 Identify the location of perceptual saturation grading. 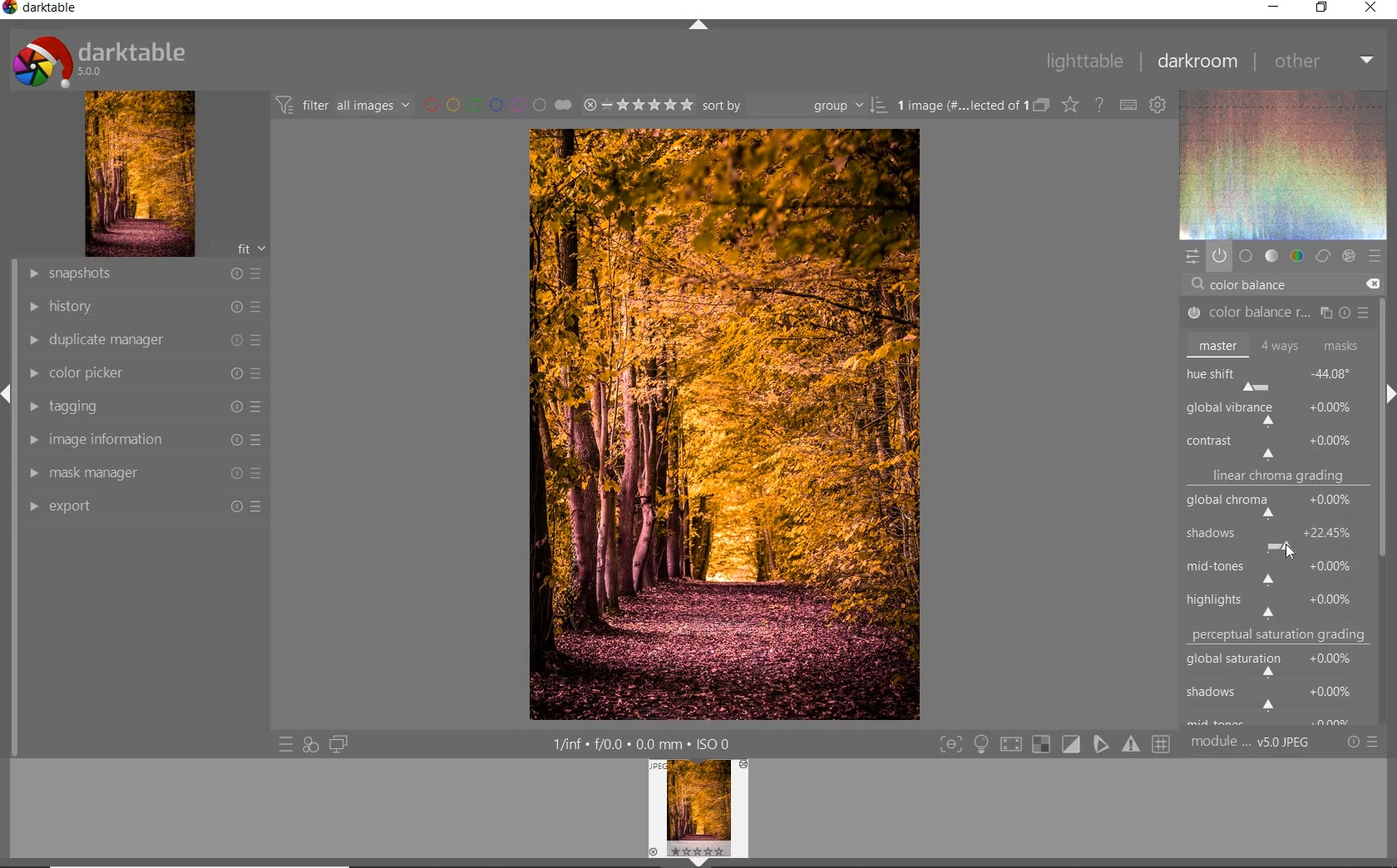
(1281, 635).